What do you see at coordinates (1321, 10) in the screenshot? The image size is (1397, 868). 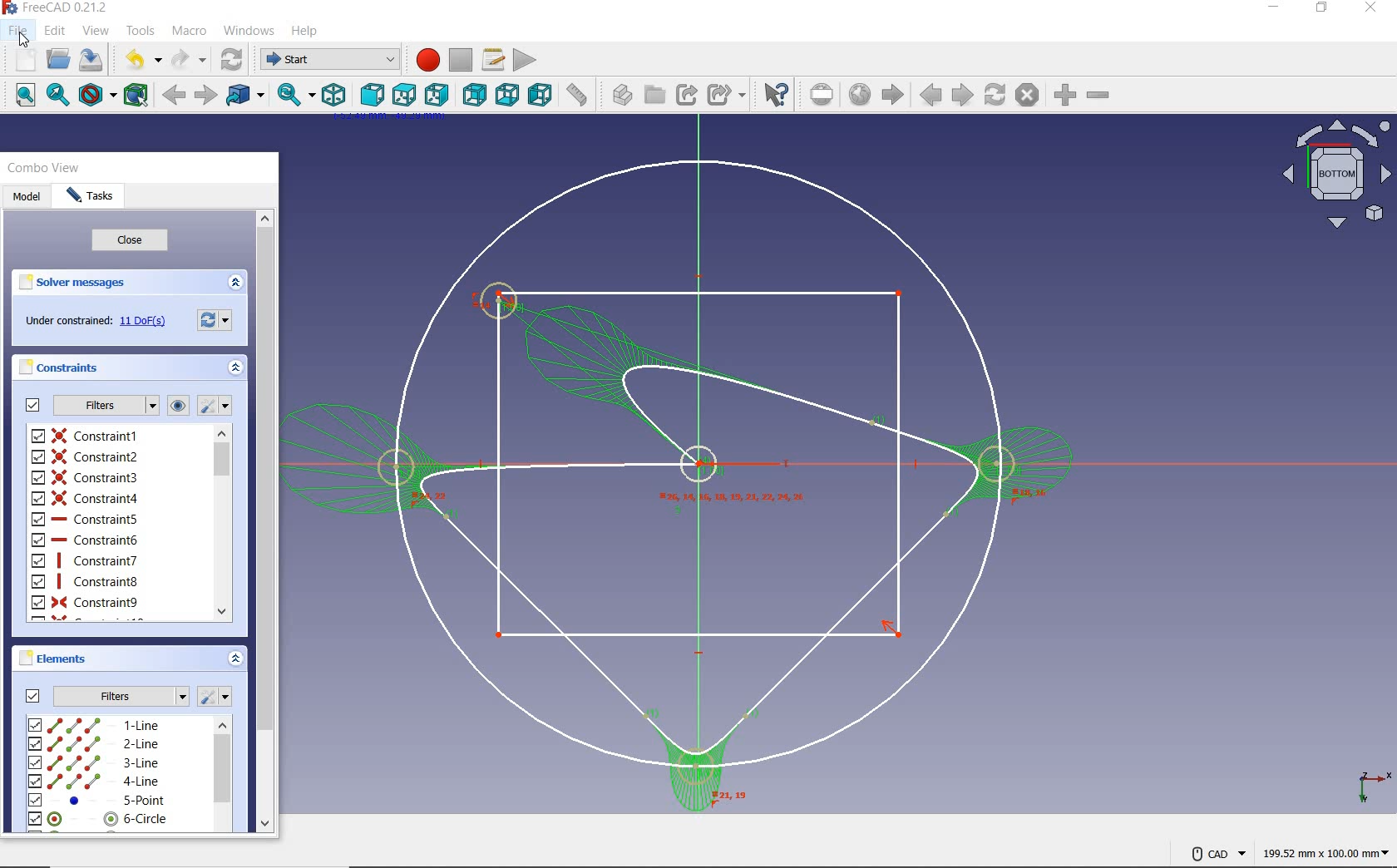 I see `restore down` at bounding box center [1321, 10].